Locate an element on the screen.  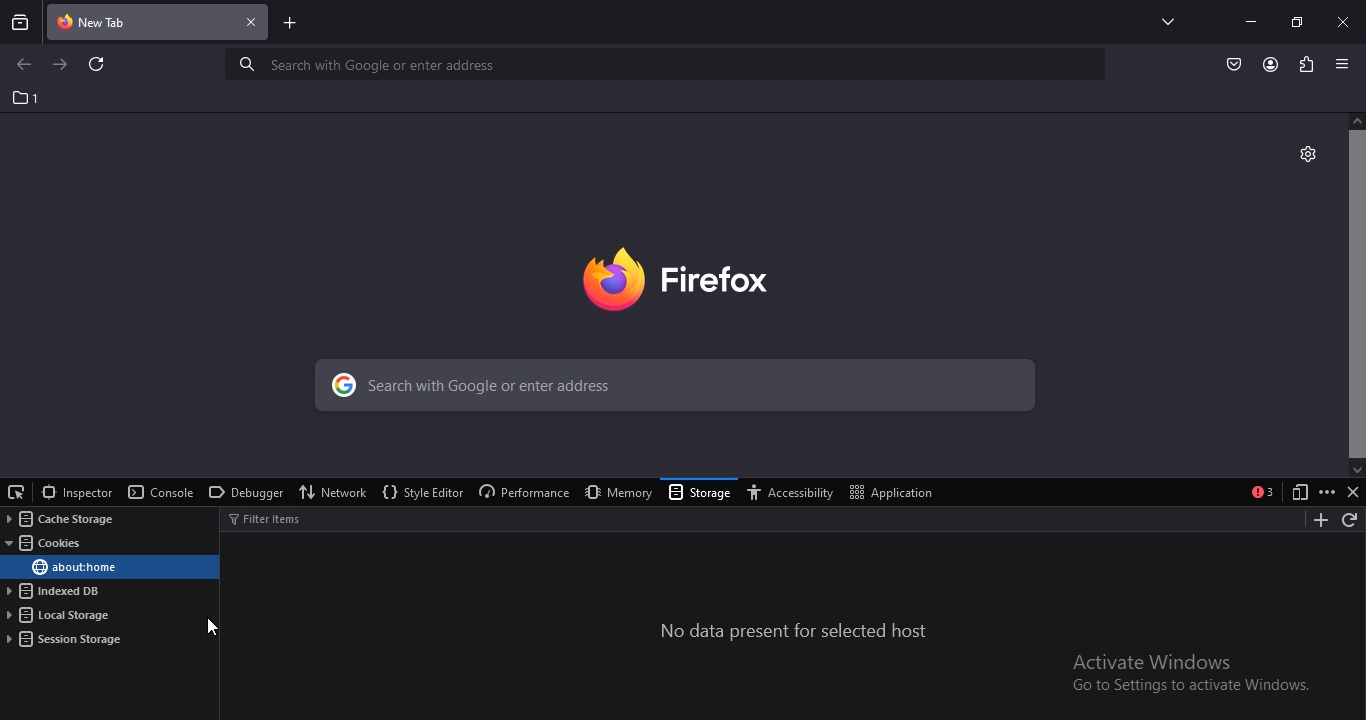
debugger is located at coordinates (243, 494).